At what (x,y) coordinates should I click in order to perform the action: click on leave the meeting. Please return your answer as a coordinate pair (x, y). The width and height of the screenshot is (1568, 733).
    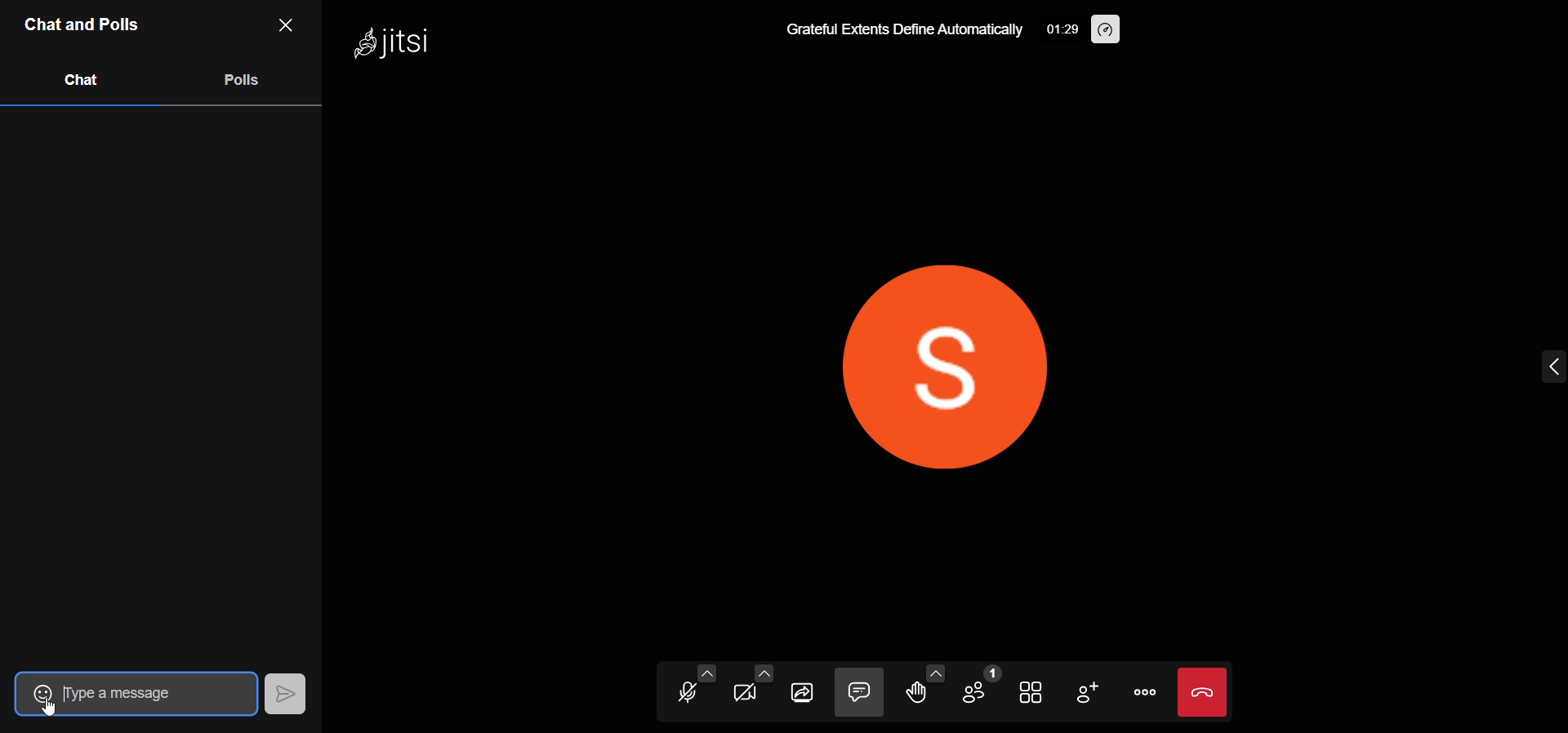
    Looking at the image, I should click on (1205, 690).